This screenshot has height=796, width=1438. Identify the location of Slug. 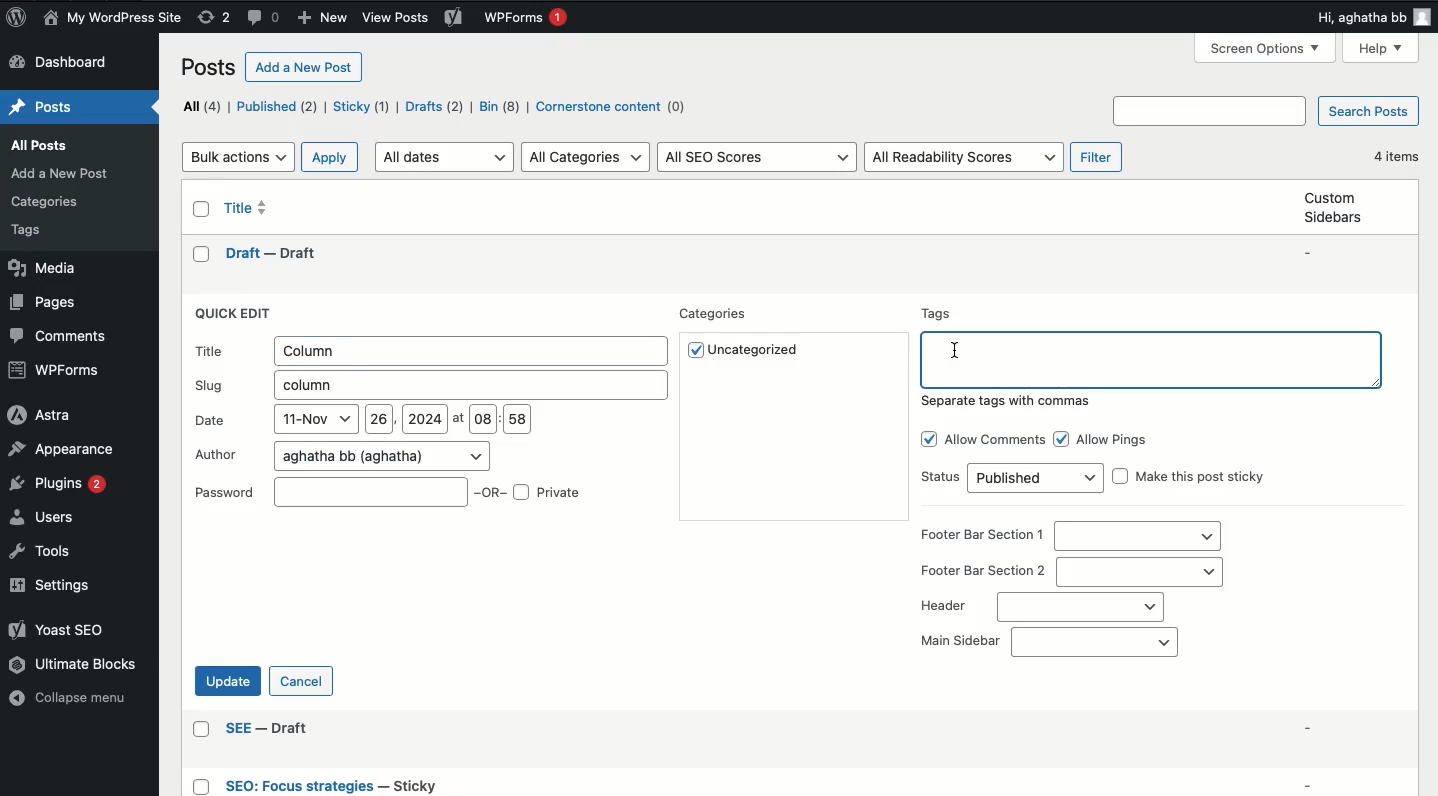
(429, 384).